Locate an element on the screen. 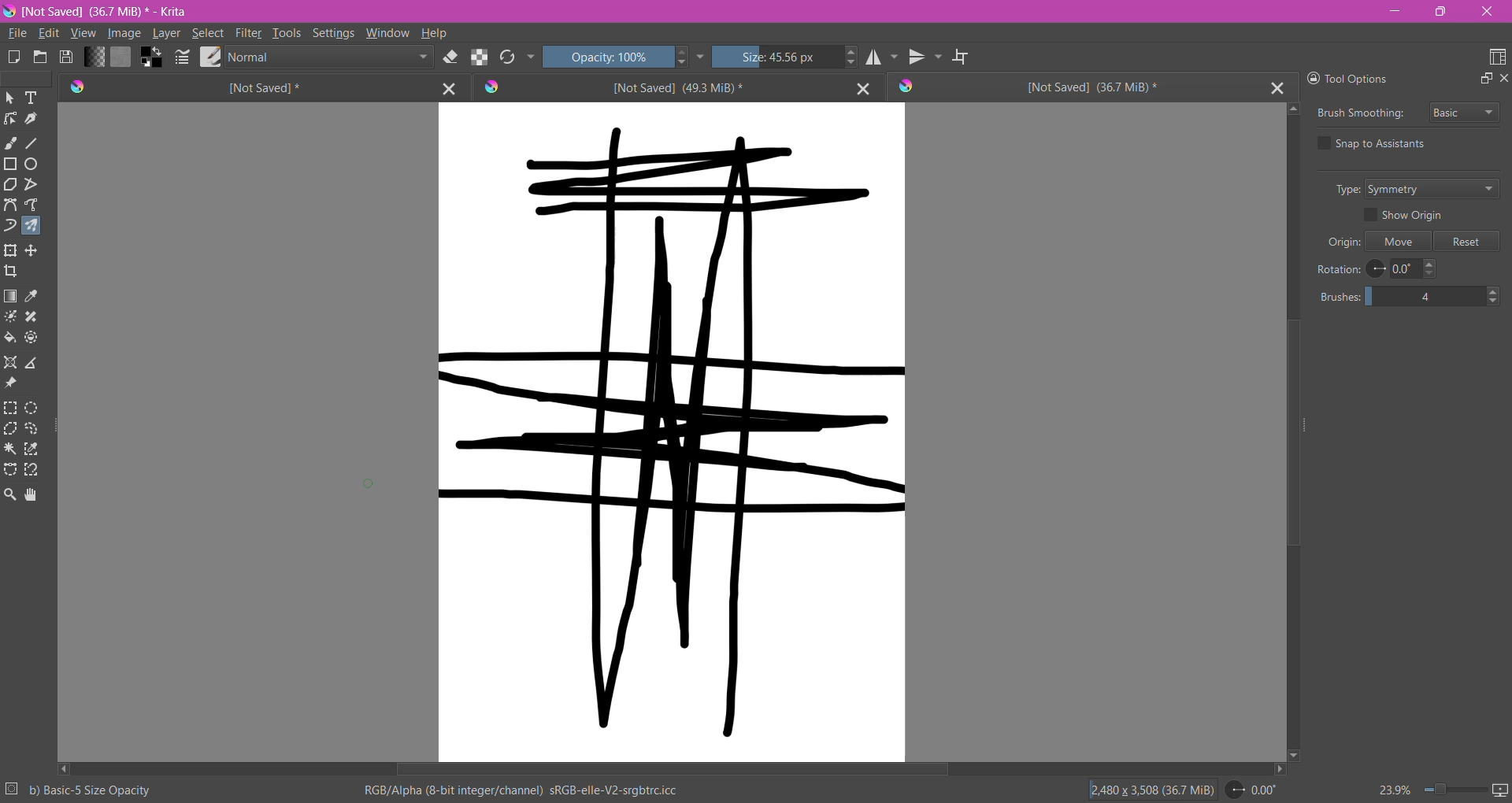  Set Eraser Mode is located at coordinates (449, 58).